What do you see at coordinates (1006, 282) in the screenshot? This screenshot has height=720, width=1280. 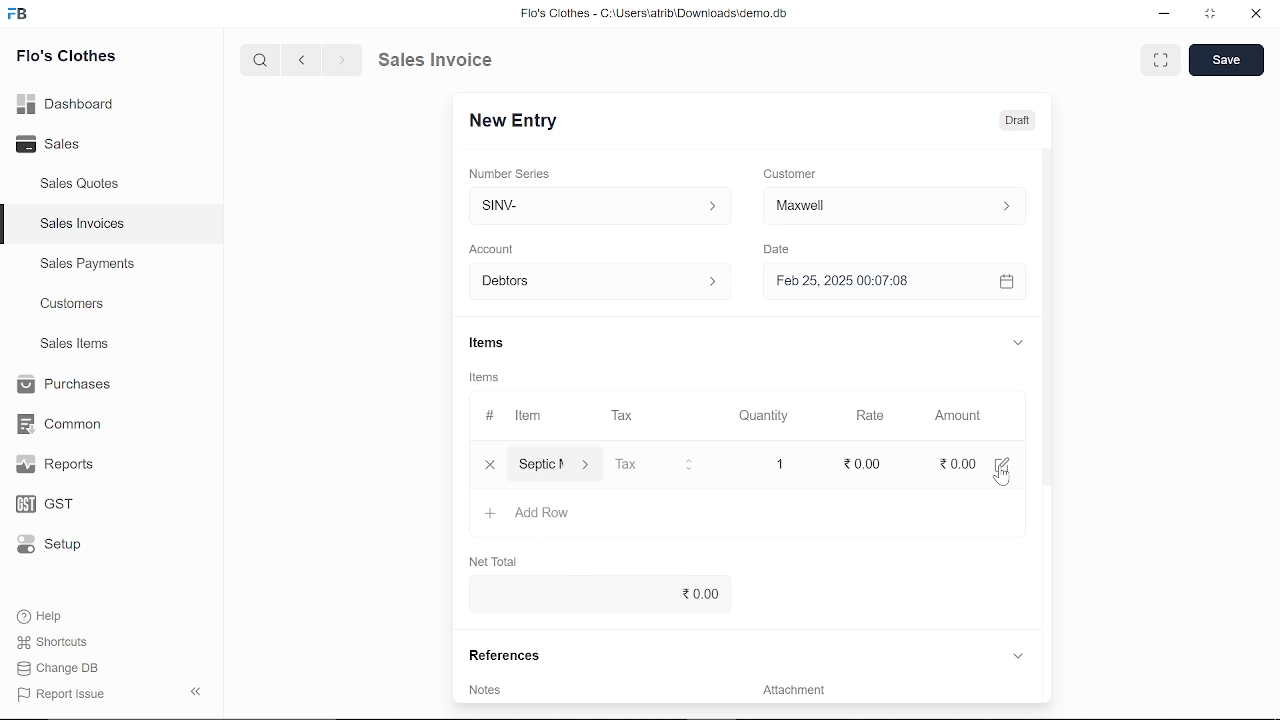 I see `open calender` at bounding box center [1006, 282].